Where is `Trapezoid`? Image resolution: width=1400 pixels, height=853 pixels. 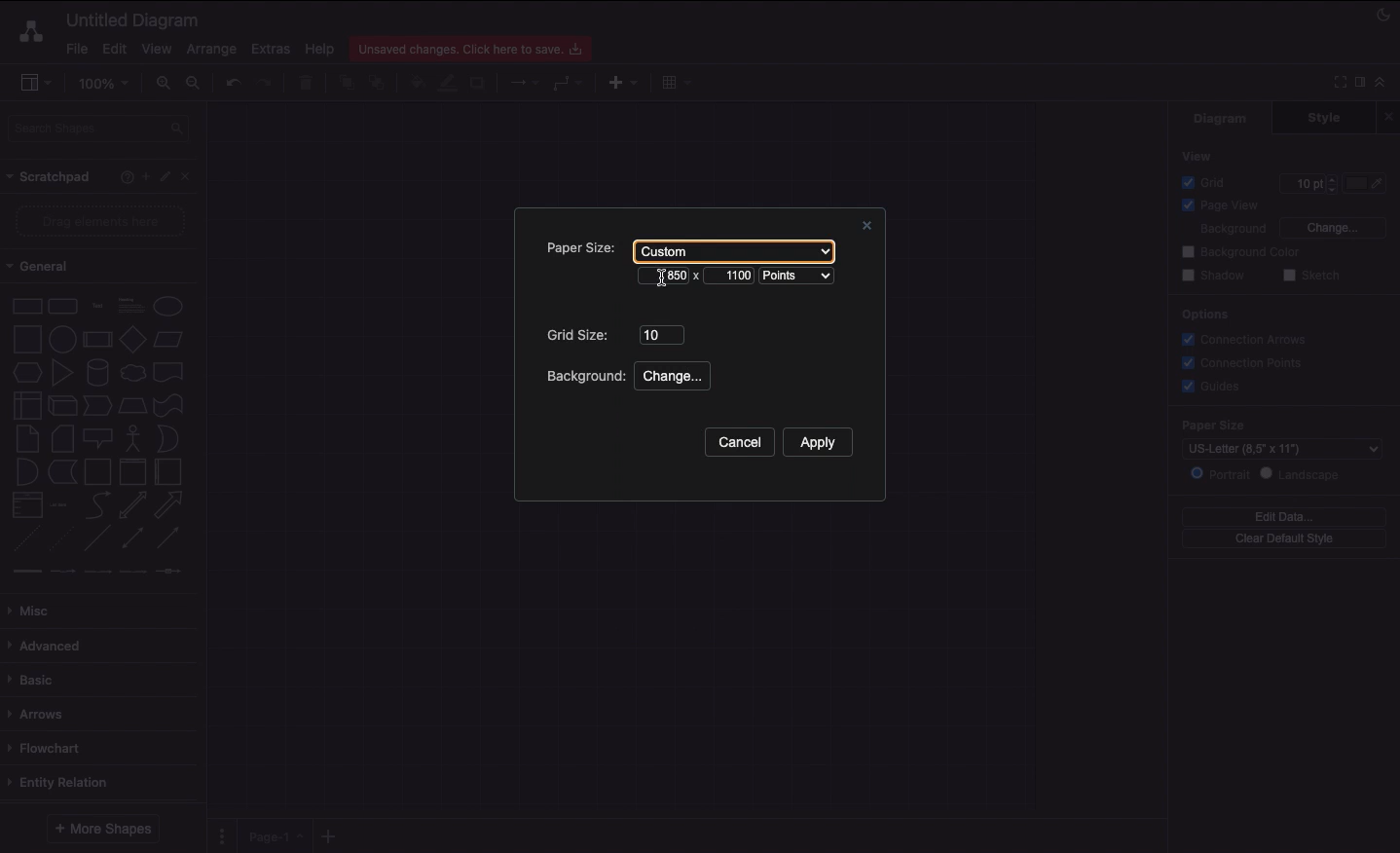
Trapezoid is located at coordinates (130, 406).